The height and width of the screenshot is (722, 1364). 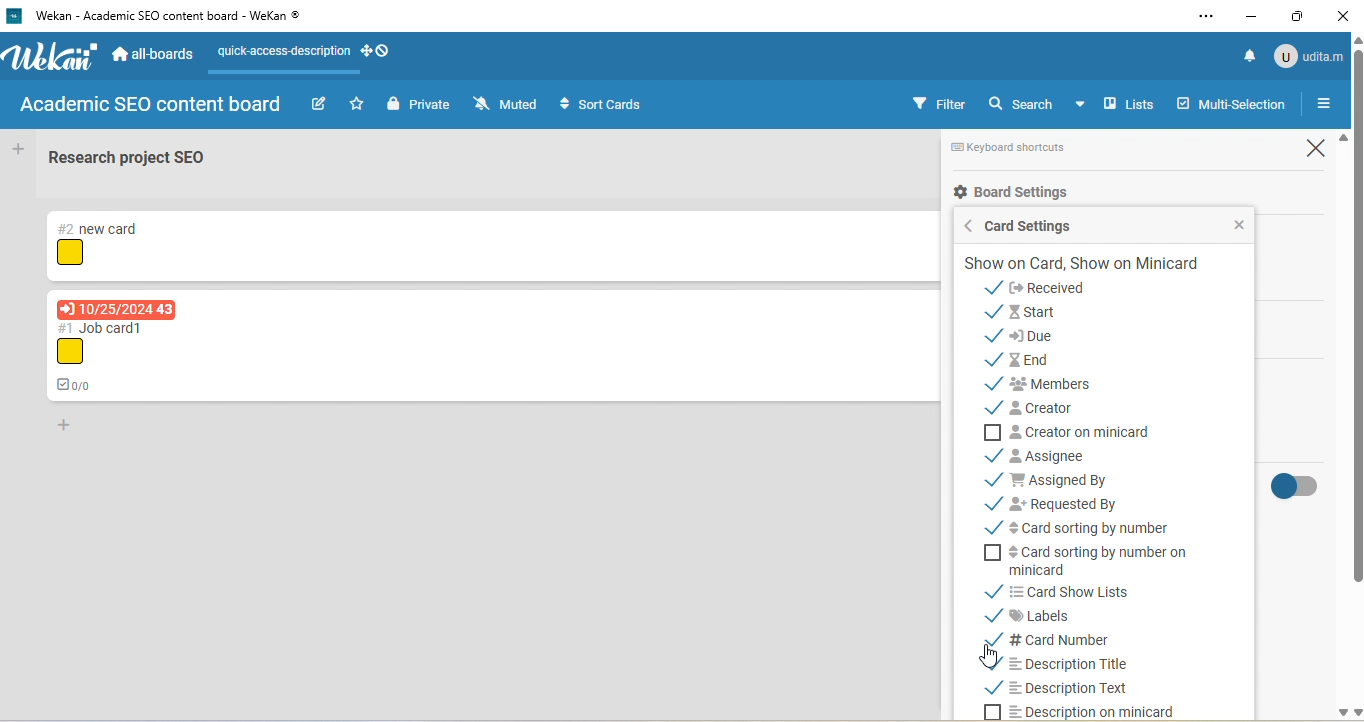 I want to click on add, so click(x=21, y=150).